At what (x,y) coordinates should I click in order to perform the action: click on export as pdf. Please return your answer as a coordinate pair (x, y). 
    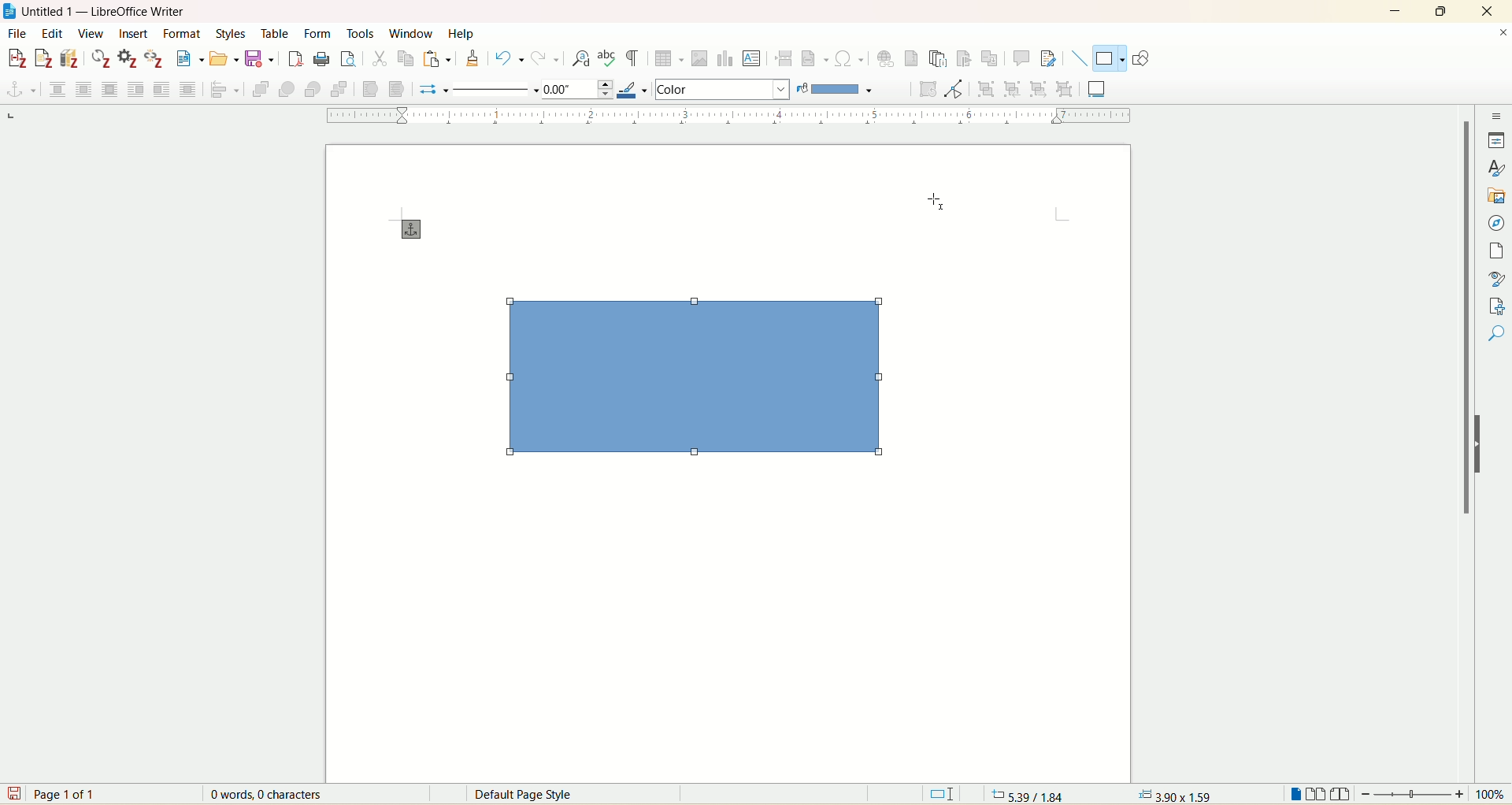
    Looking at the image, I should click on (294, 60).